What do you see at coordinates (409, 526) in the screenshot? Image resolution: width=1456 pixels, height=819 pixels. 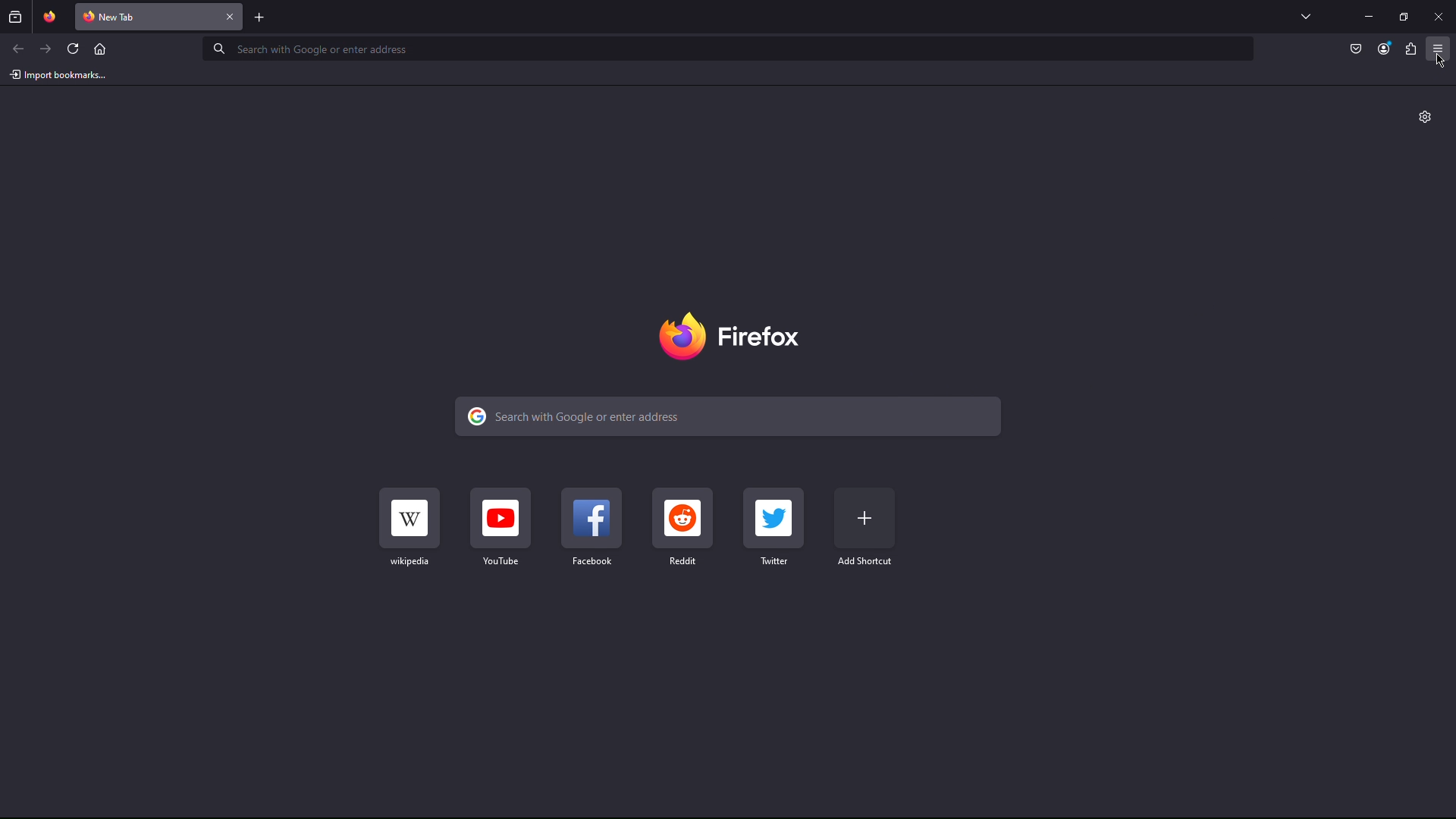 I see `Wikipedia` at bounding box center [409, 526].